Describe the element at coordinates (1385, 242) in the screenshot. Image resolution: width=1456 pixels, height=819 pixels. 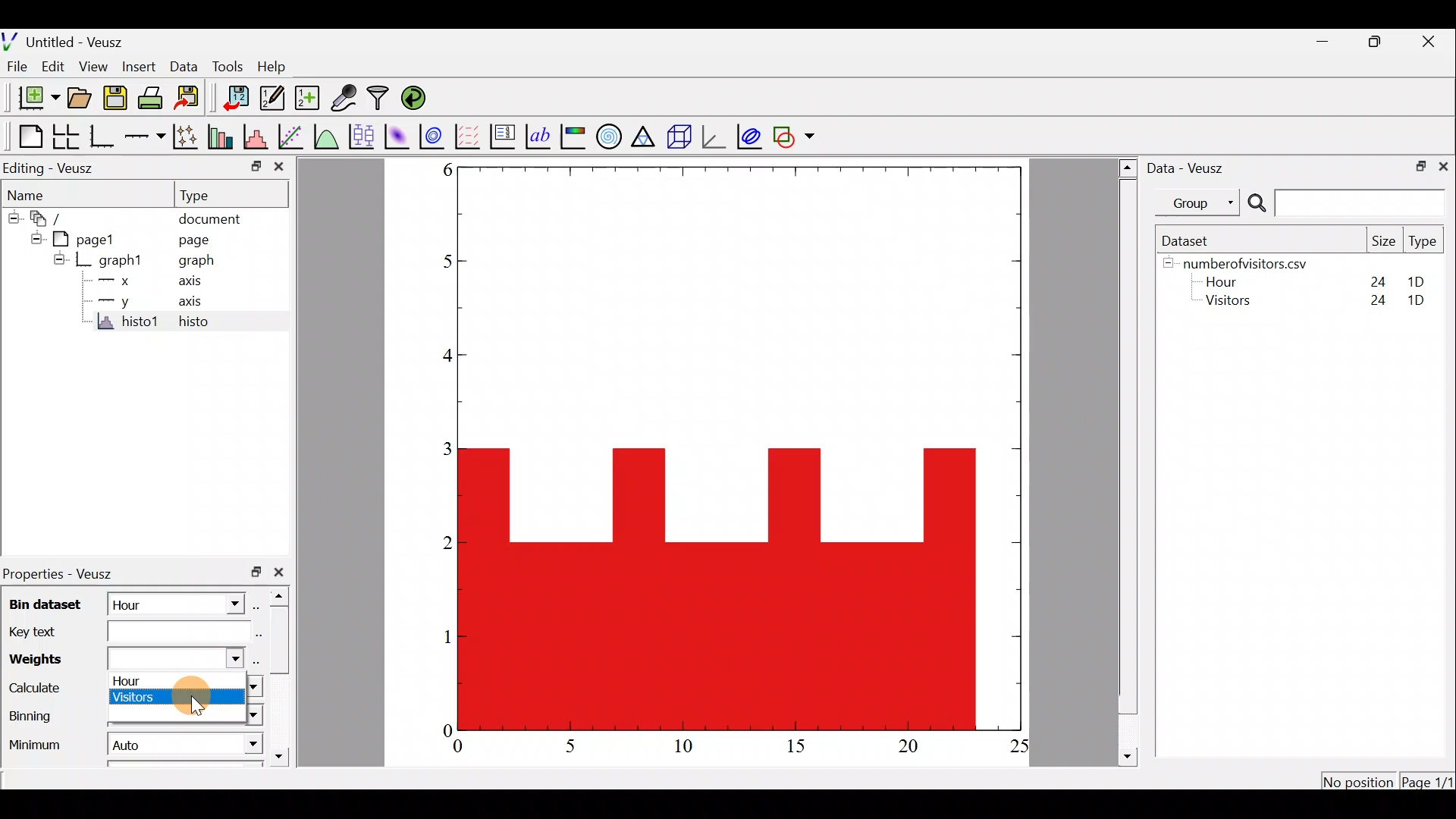
I see `Size` at that location.